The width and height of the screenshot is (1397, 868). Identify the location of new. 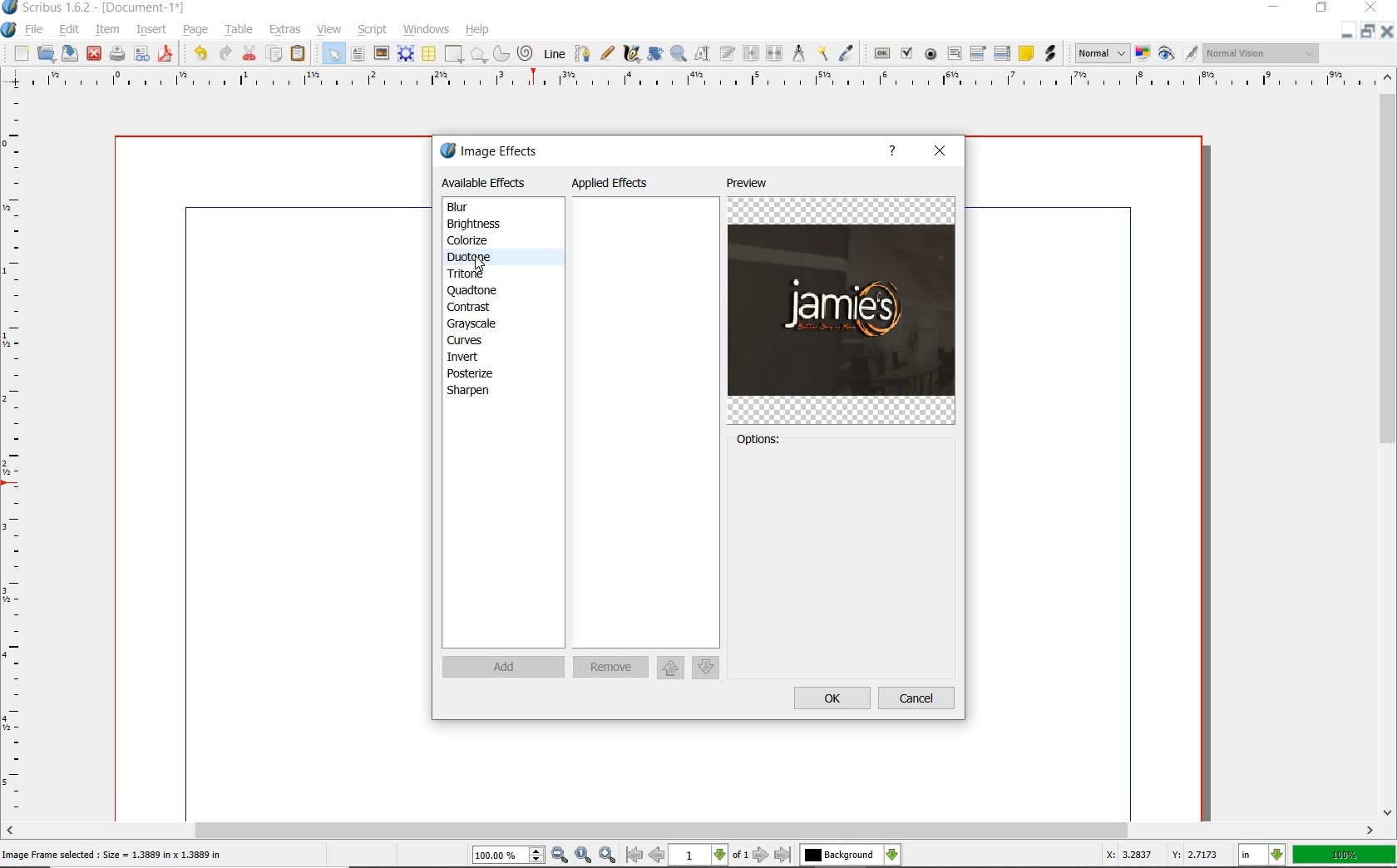
(22, 55).